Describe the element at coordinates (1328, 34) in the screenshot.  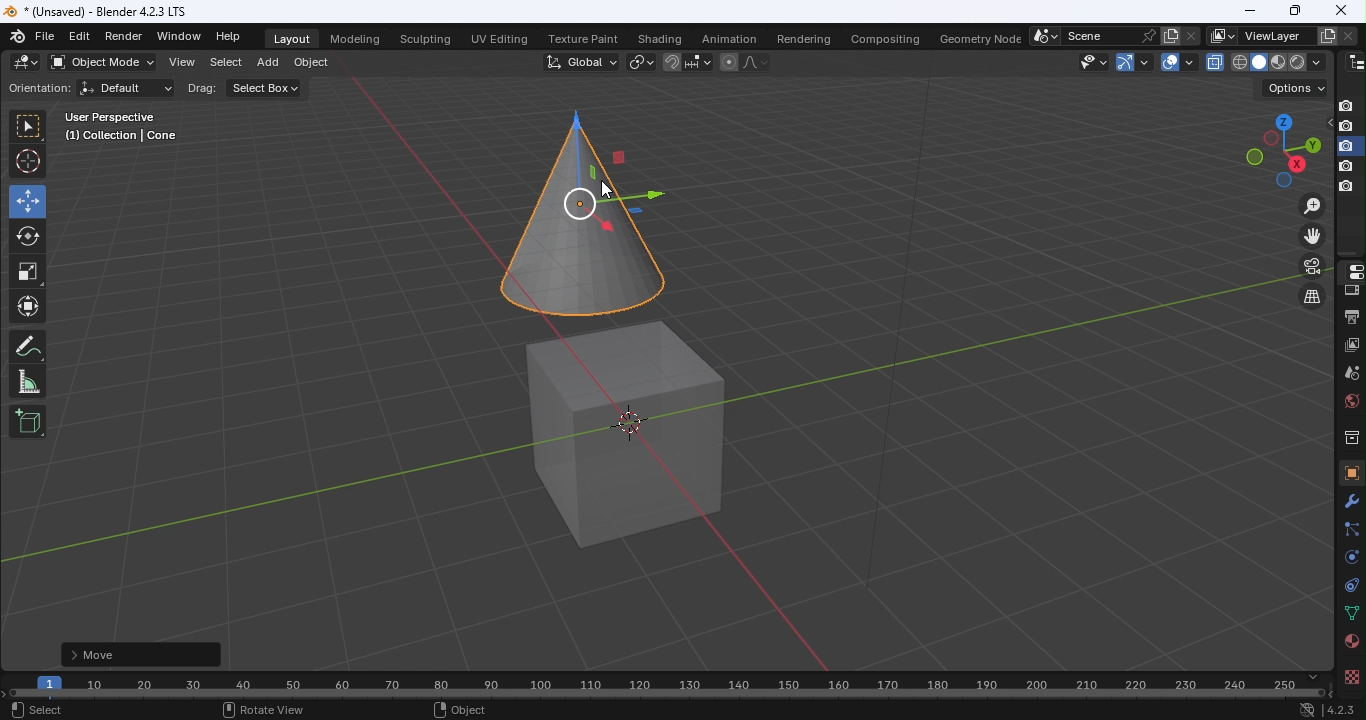
I see `Add view layer` at that location.